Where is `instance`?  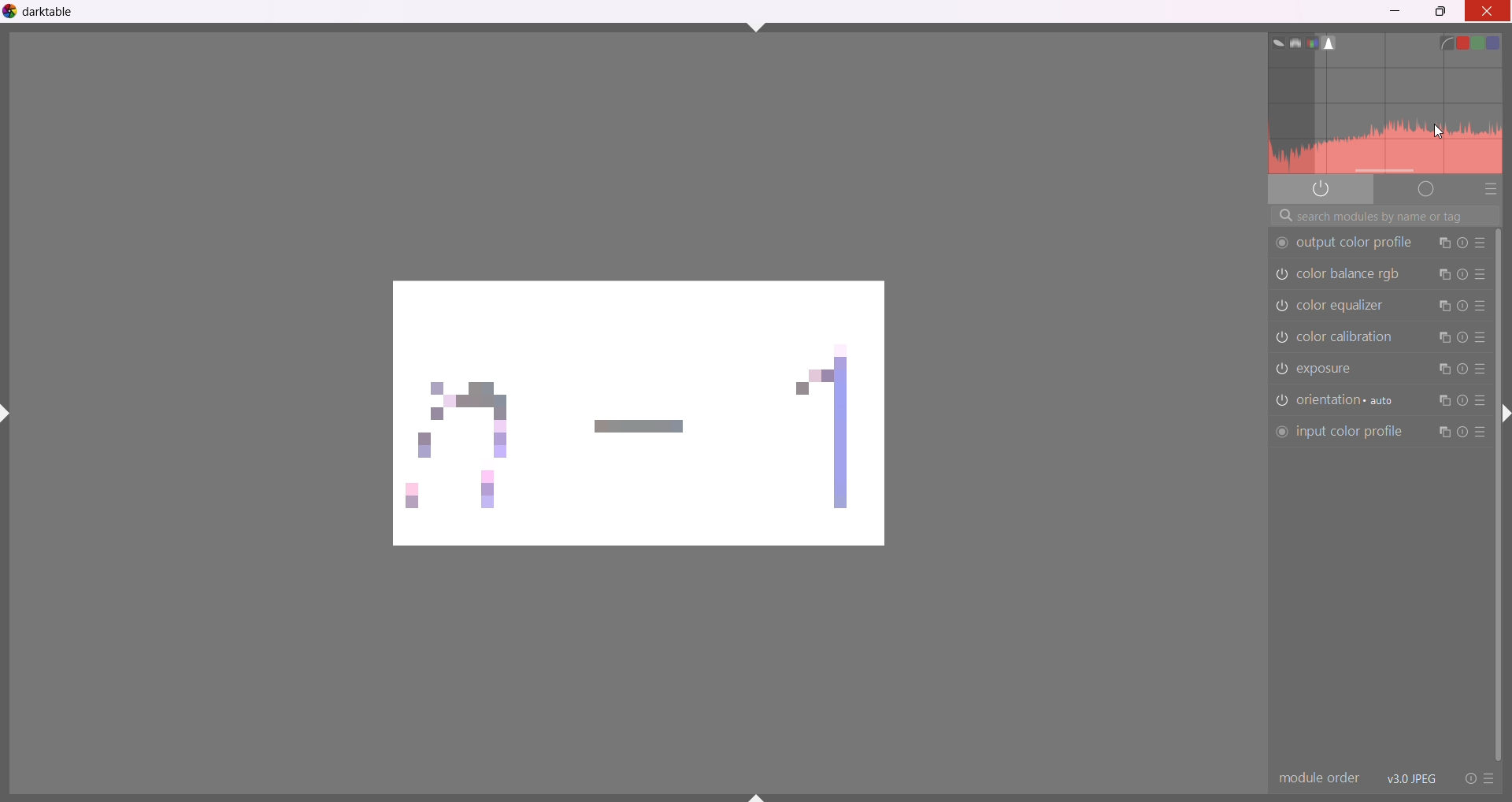 instance is located at coordinates (1443, 276).